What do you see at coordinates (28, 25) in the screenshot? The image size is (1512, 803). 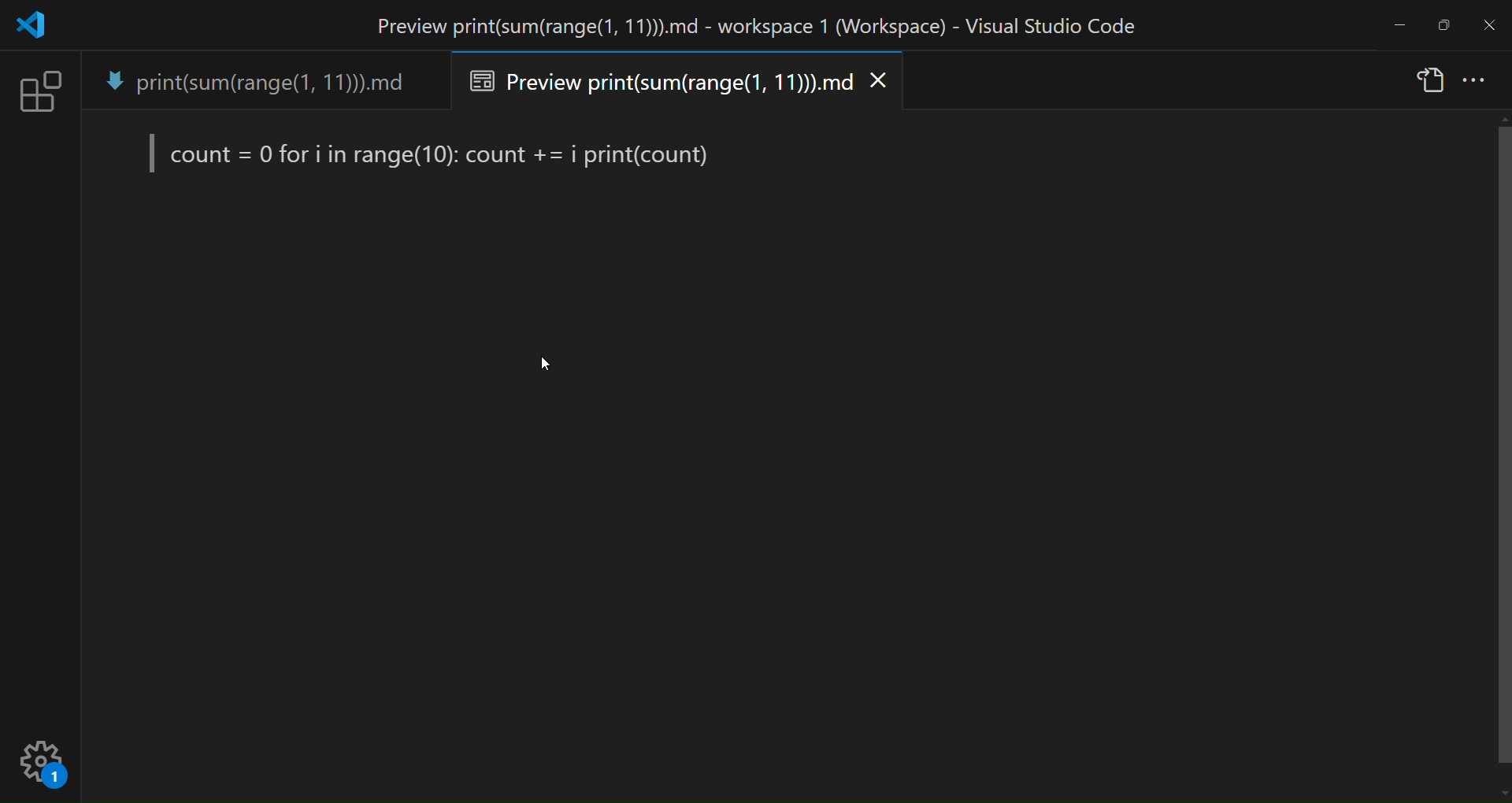 I see `logo` at bounding box center [28, 25].